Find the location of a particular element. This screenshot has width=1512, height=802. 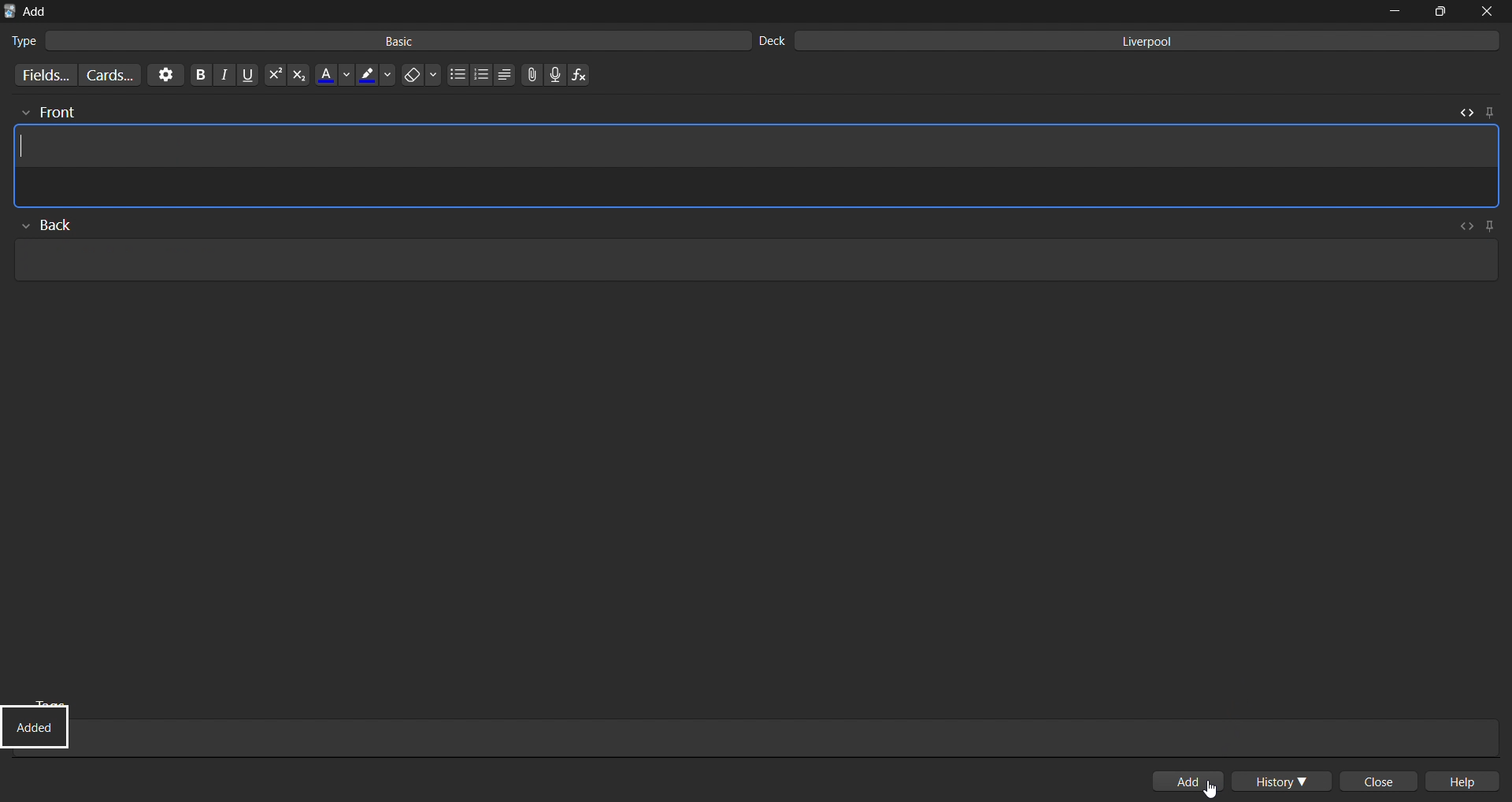

card back input field is located at coordinates (750, 258).